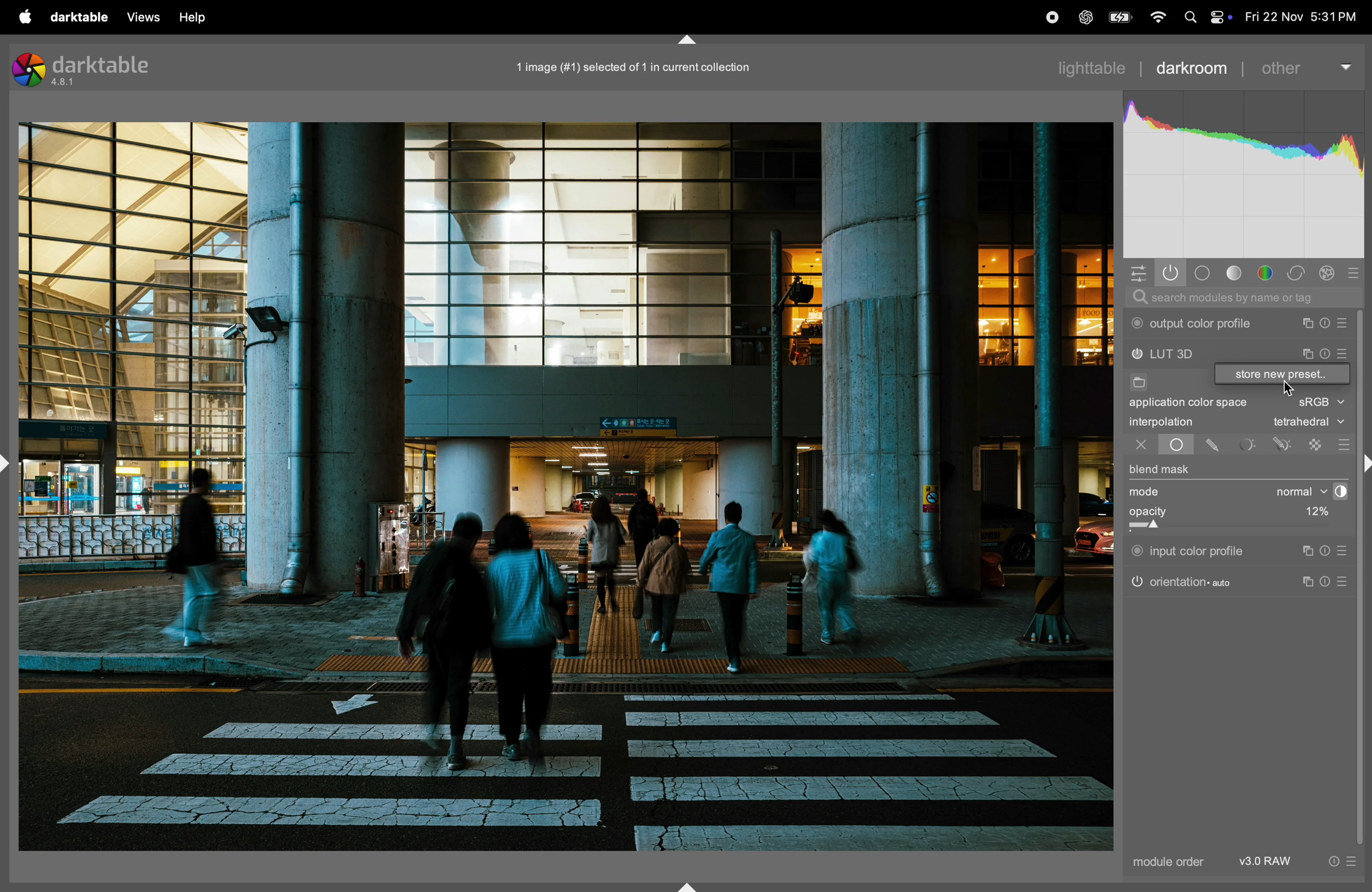 The width and height of the screenshot is (1372, 892). Describe the element at coordinates (1344, 356) in the screenshot. I see `presets` at that location.